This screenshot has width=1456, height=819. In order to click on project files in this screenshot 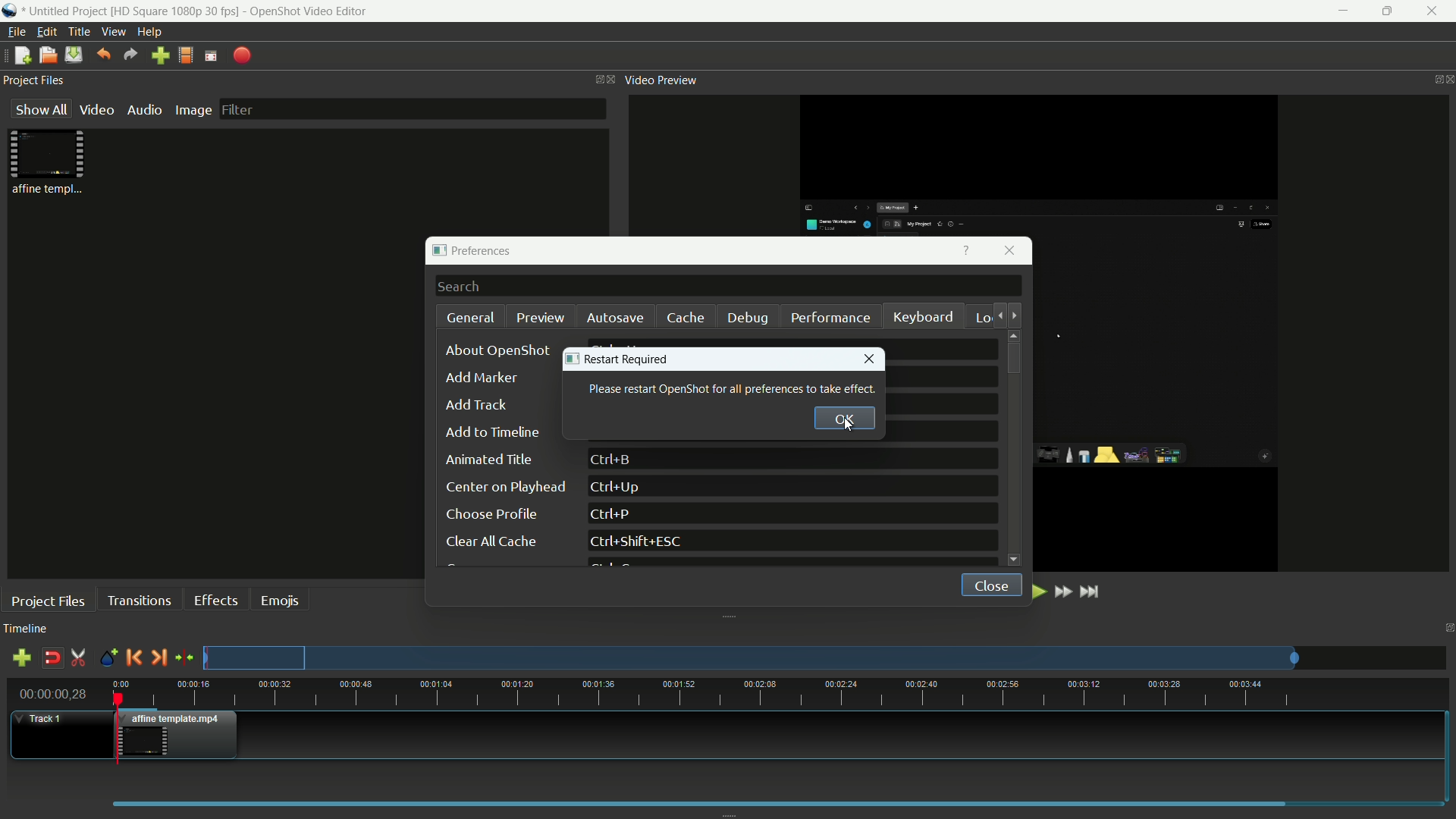, I will do `click(36, 81)`.